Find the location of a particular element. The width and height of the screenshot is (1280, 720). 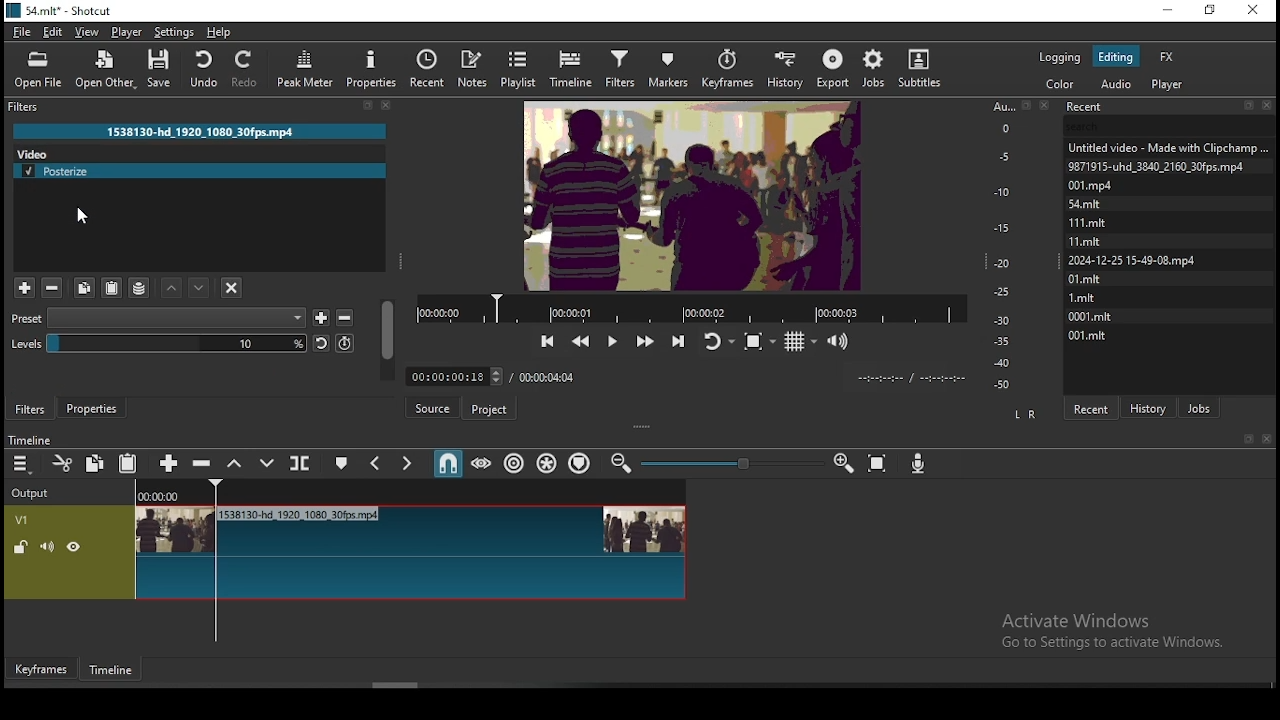

minimize is located at coordinates (1167, 11).